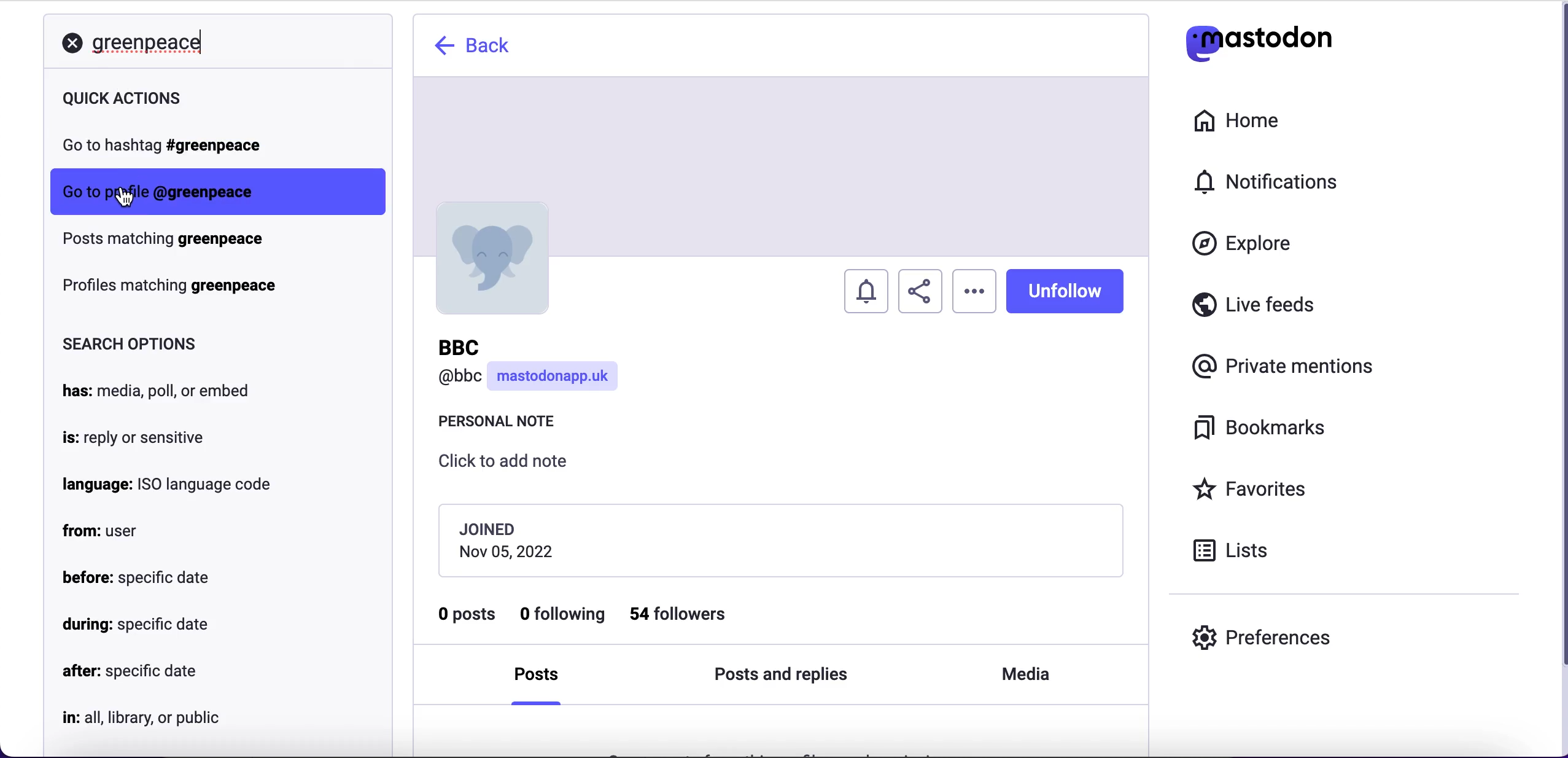 This screenshot has height=758, width=1568. I want to click on share, so click(920, 292).